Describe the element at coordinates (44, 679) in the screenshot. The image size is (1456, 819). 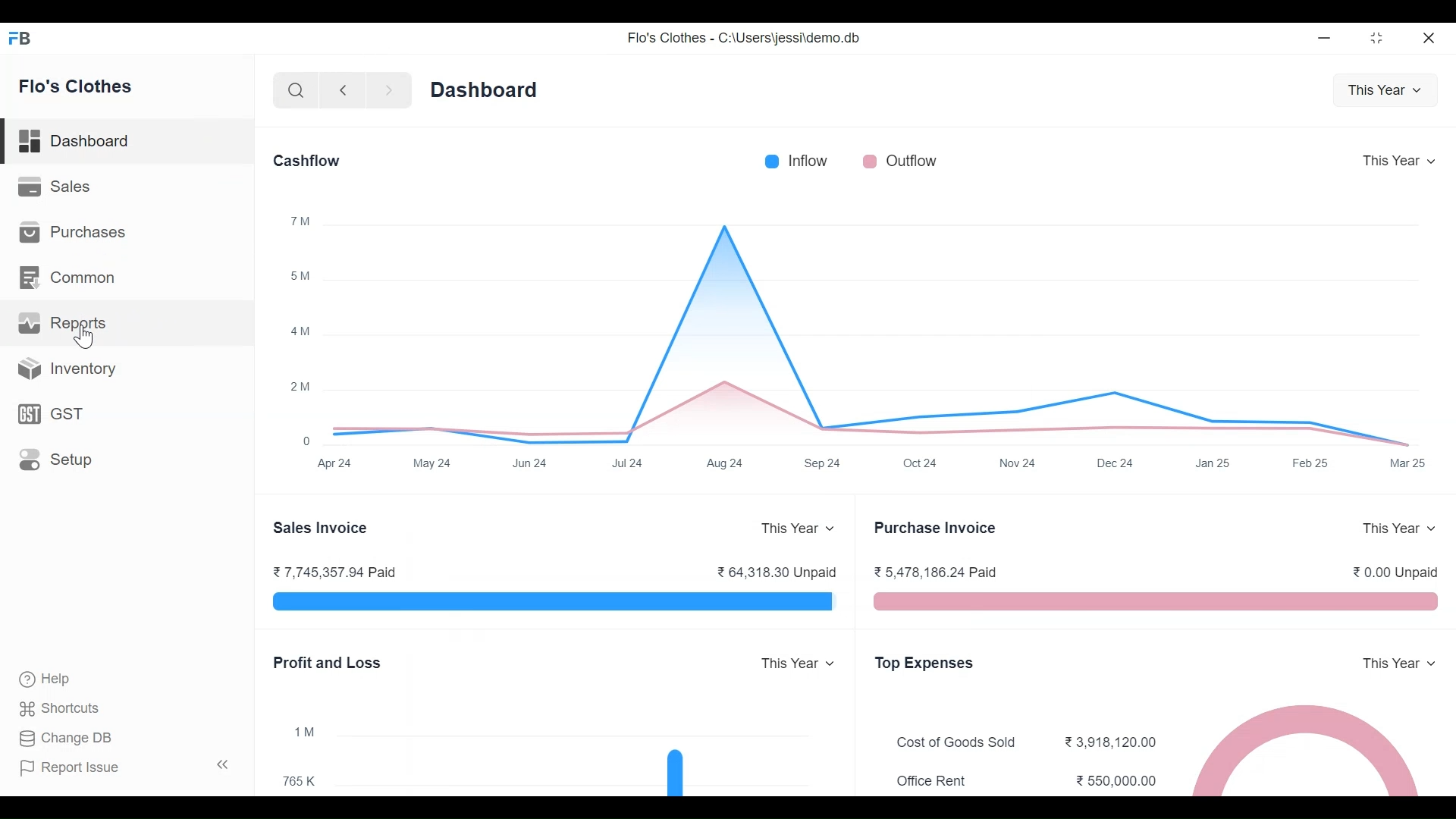
I see `help` at that location.